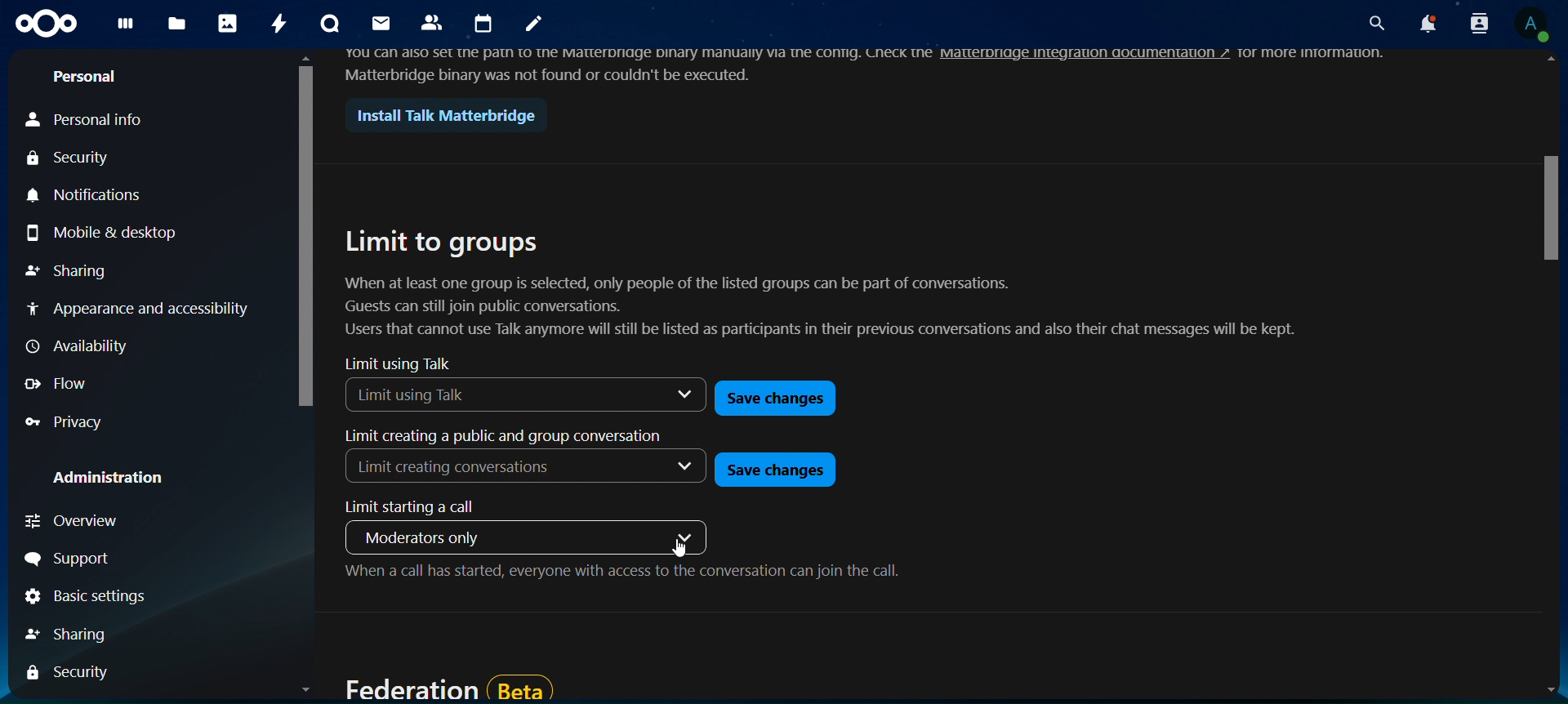 This screenshot has height=704, width=1568. Describe the element at coordinates (138, 307) in the screenshot. I see `appearance and accessibility` at that location.